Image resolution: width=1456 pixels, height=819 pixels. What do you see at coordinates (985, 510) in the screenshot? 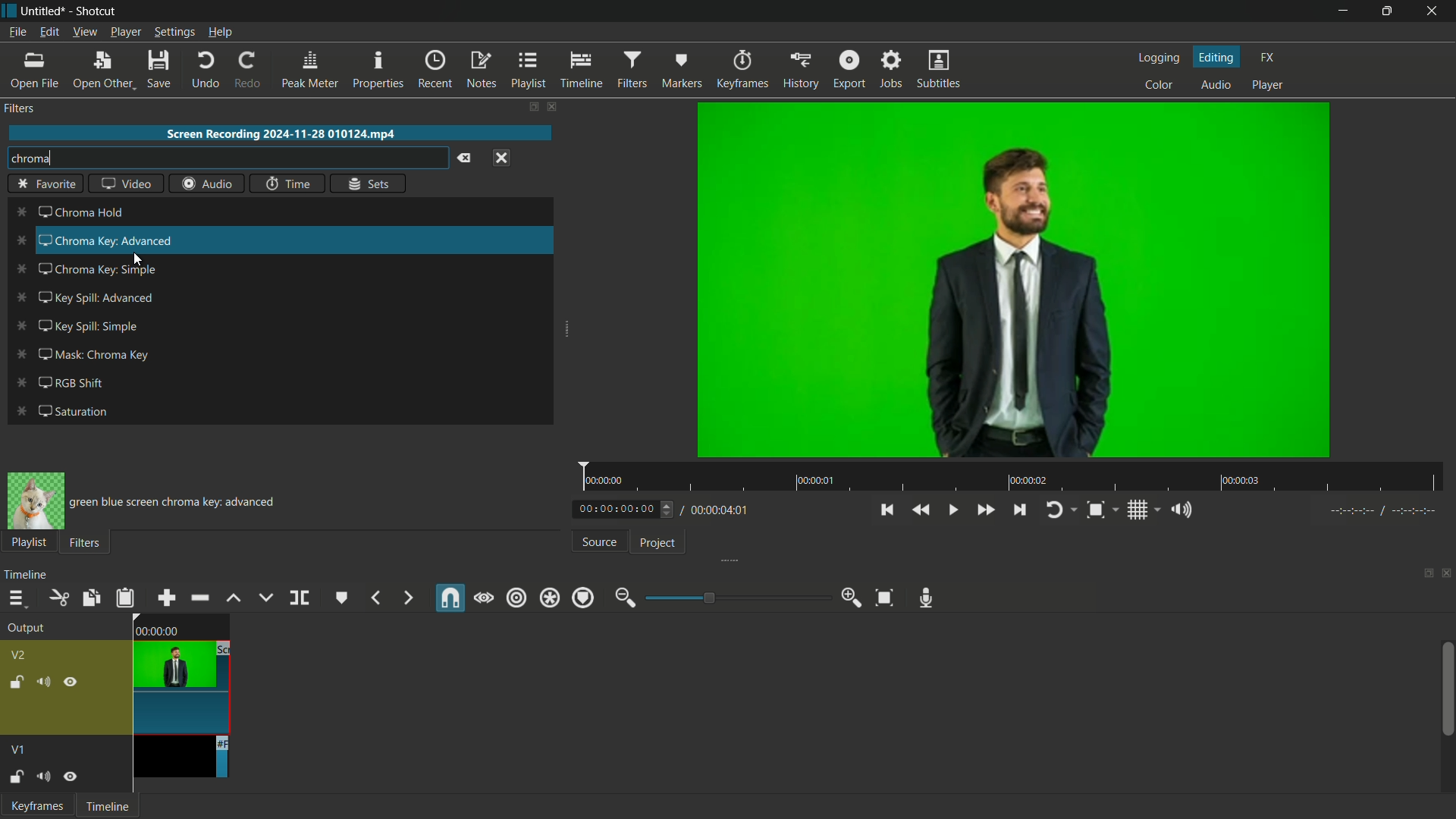
I see `quickly play forward` at bounding box center [985, 510].